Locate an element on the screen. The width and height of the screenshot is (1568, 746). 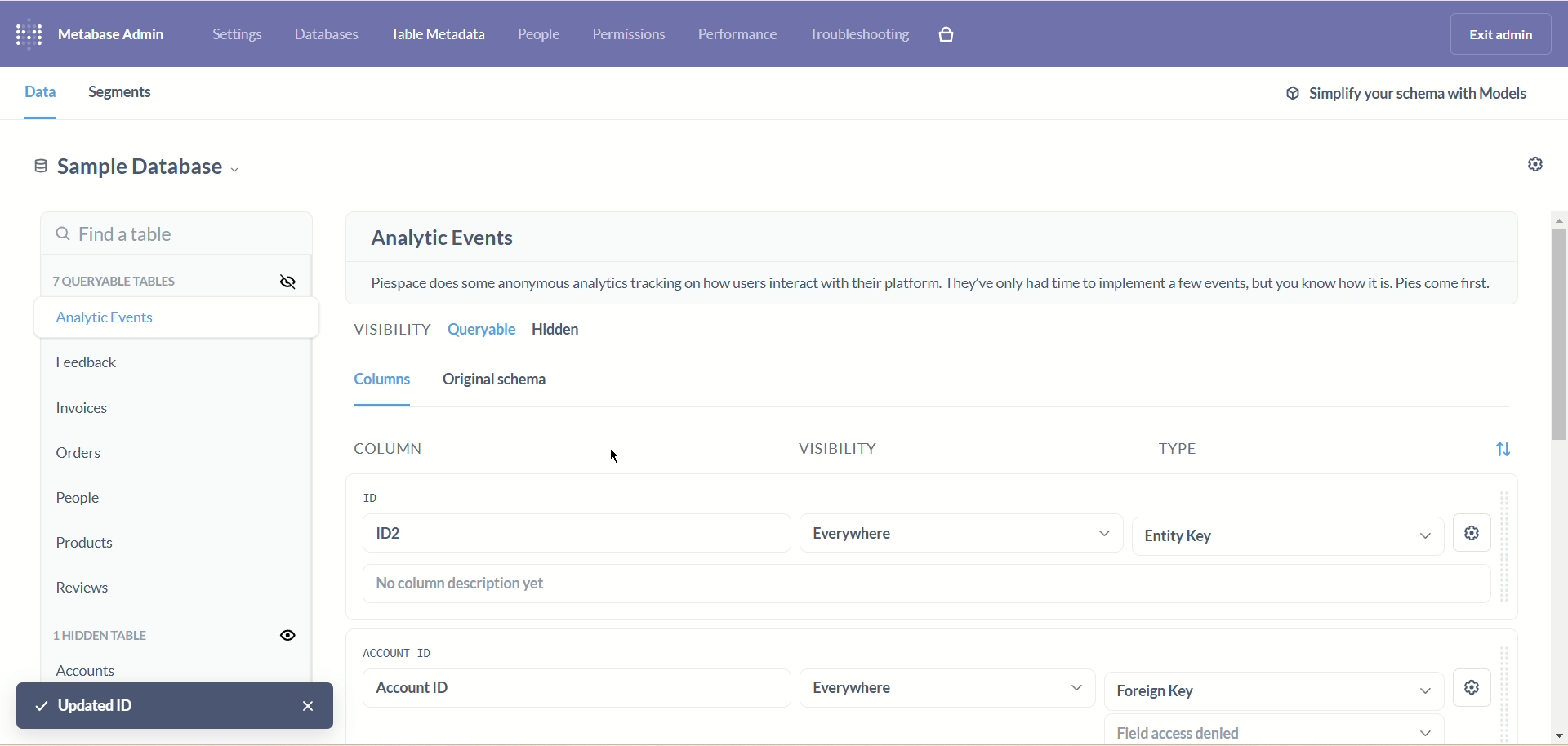
1 hidden table is located at coordinates (106, 635).